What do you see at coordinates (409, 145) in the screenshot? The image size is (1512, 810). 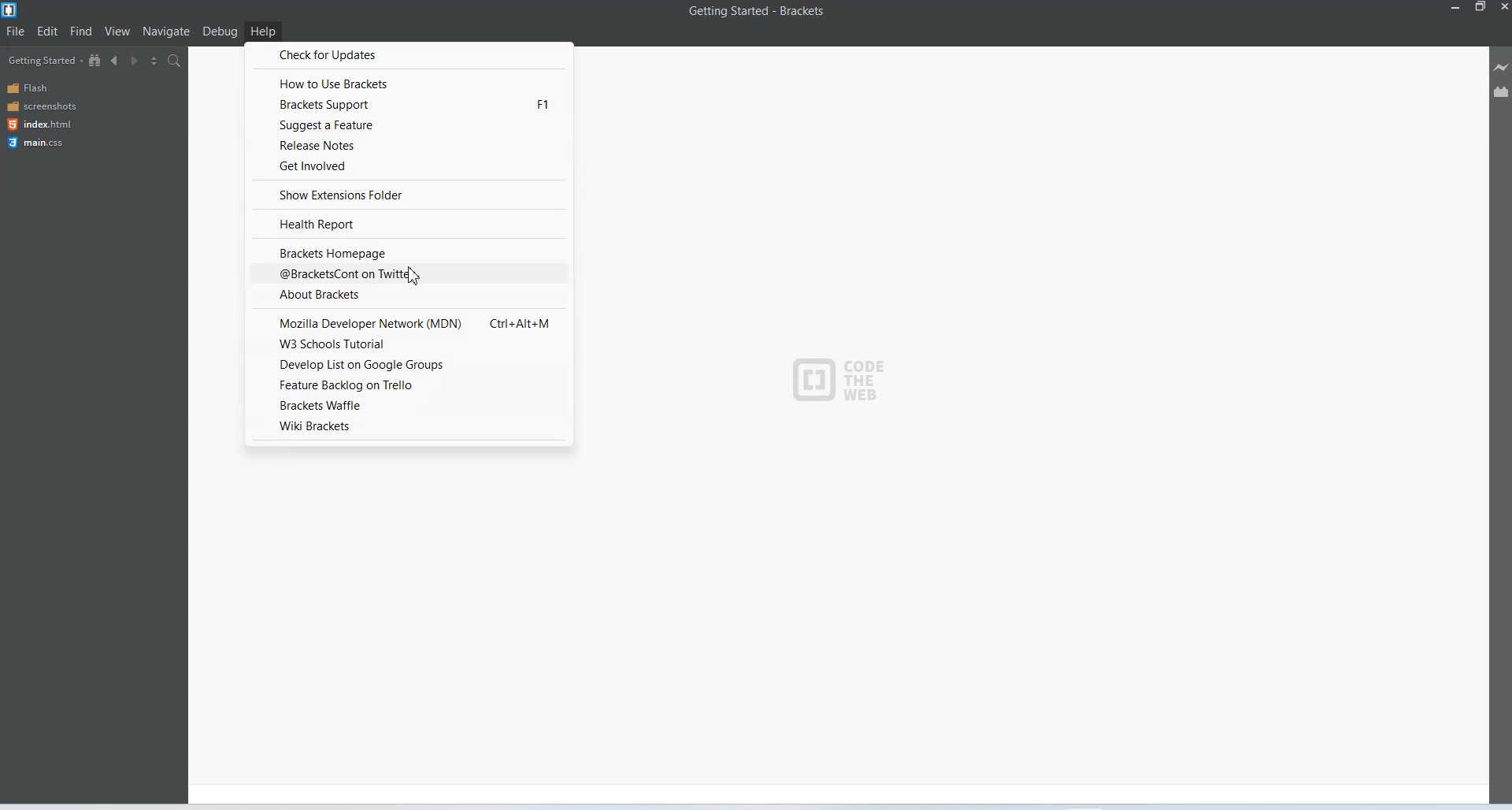 I see `Release notes` at bounding box center [409, 145].